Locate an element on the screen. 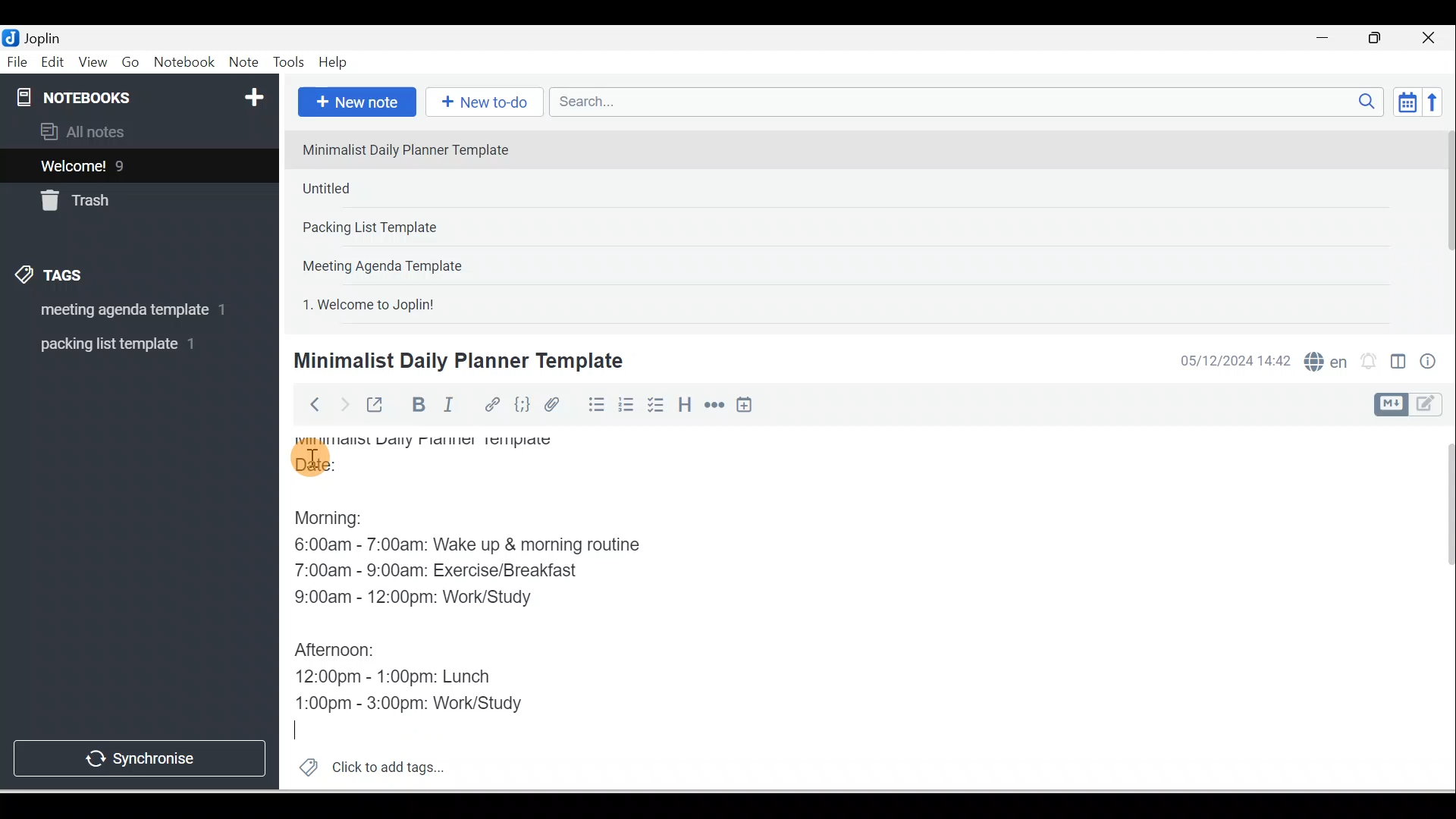 The width and height of the screenshot is (1456, 819). Cursor is located at coordinates (311, 455).